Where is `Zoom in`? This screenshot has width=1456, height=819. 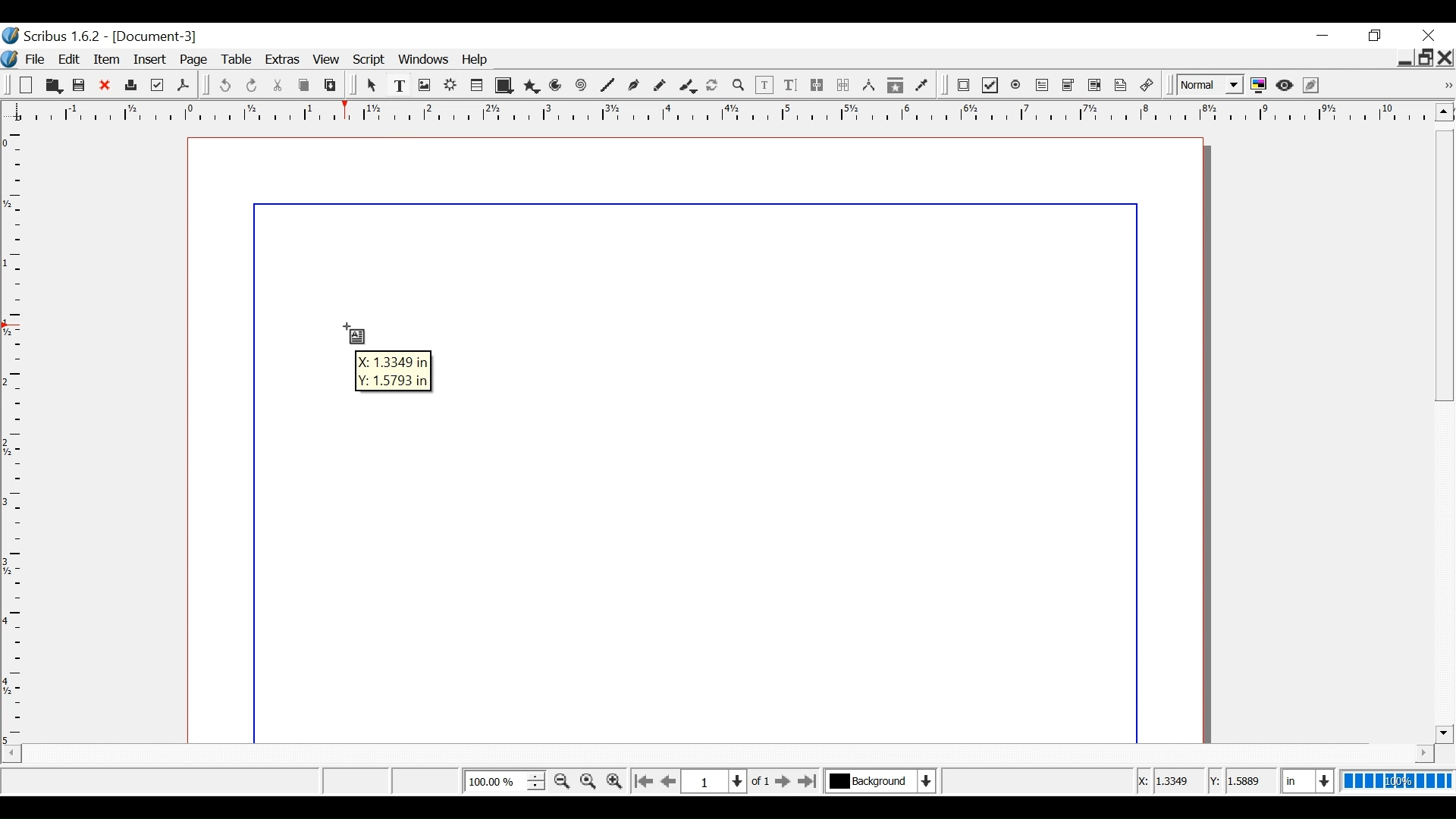
Zoom in is located at coordinates (616, 781).